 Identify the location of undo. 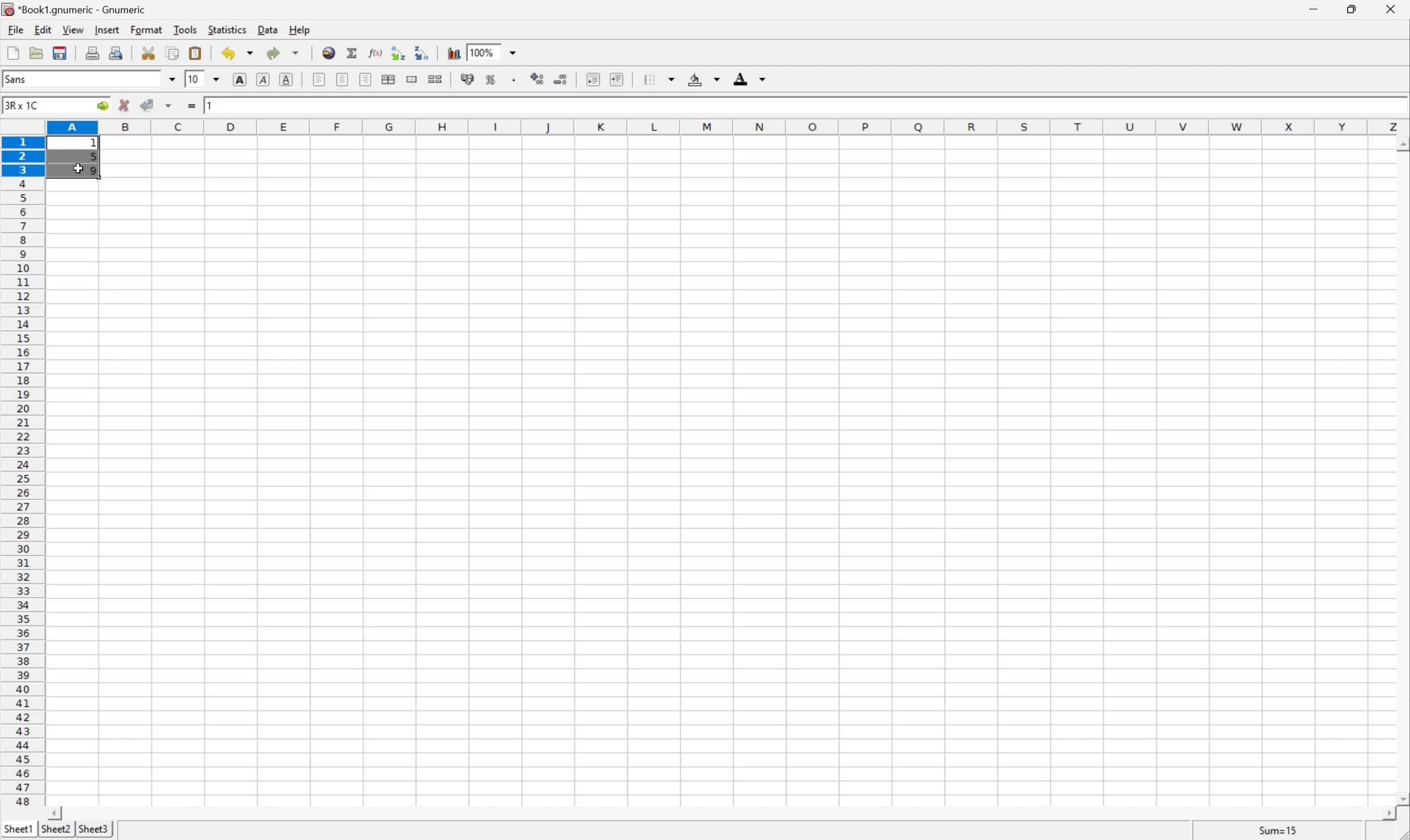
(239, 55).